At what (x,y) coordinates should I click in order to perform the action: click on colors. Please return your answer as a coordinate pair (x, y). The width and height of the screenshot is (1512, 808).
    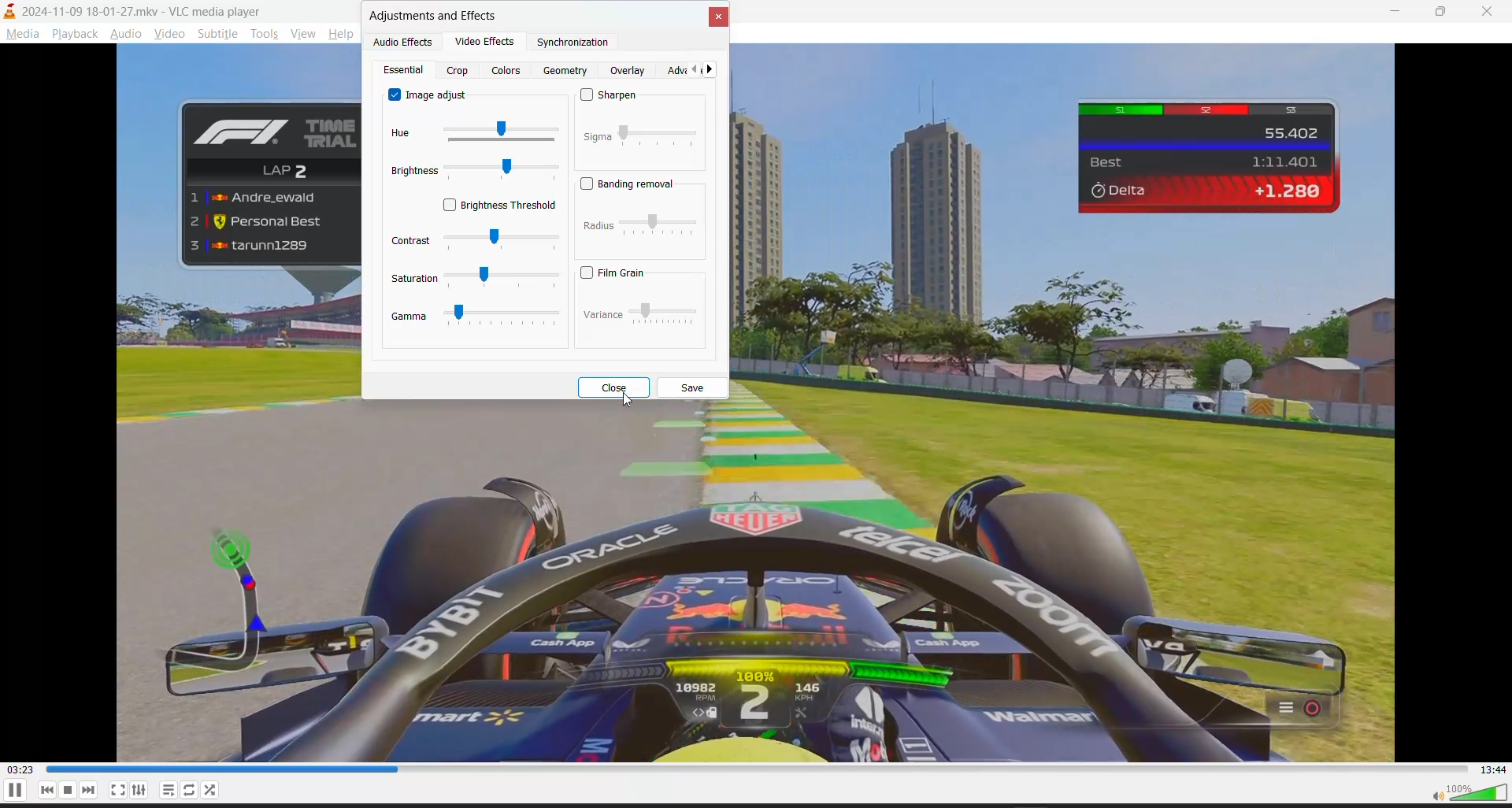
    Looking at the image, I should click on (509, 71).